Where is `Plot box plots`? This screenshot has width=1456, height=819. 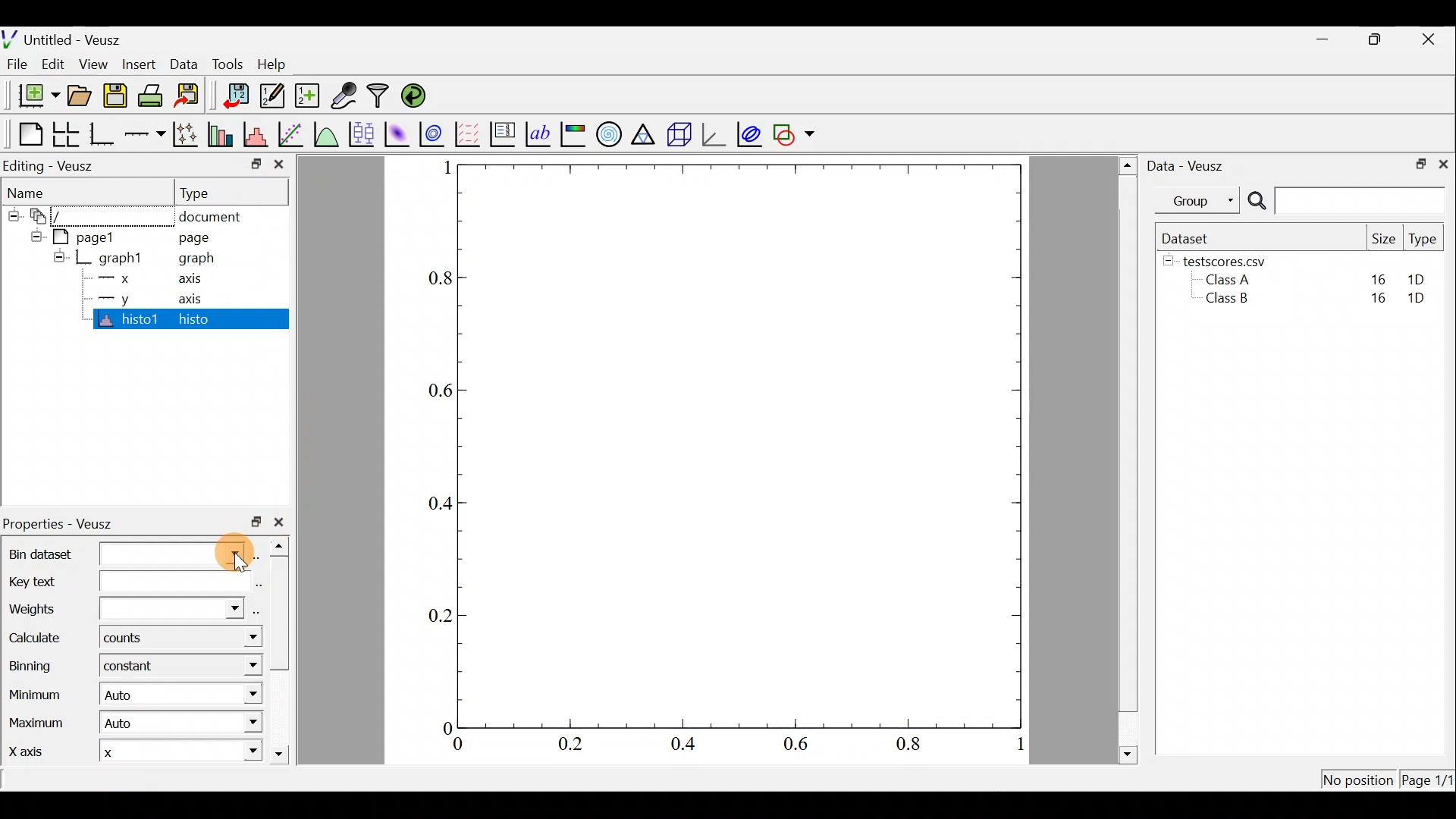 Plot box plots is located at coordinates (360, 133).